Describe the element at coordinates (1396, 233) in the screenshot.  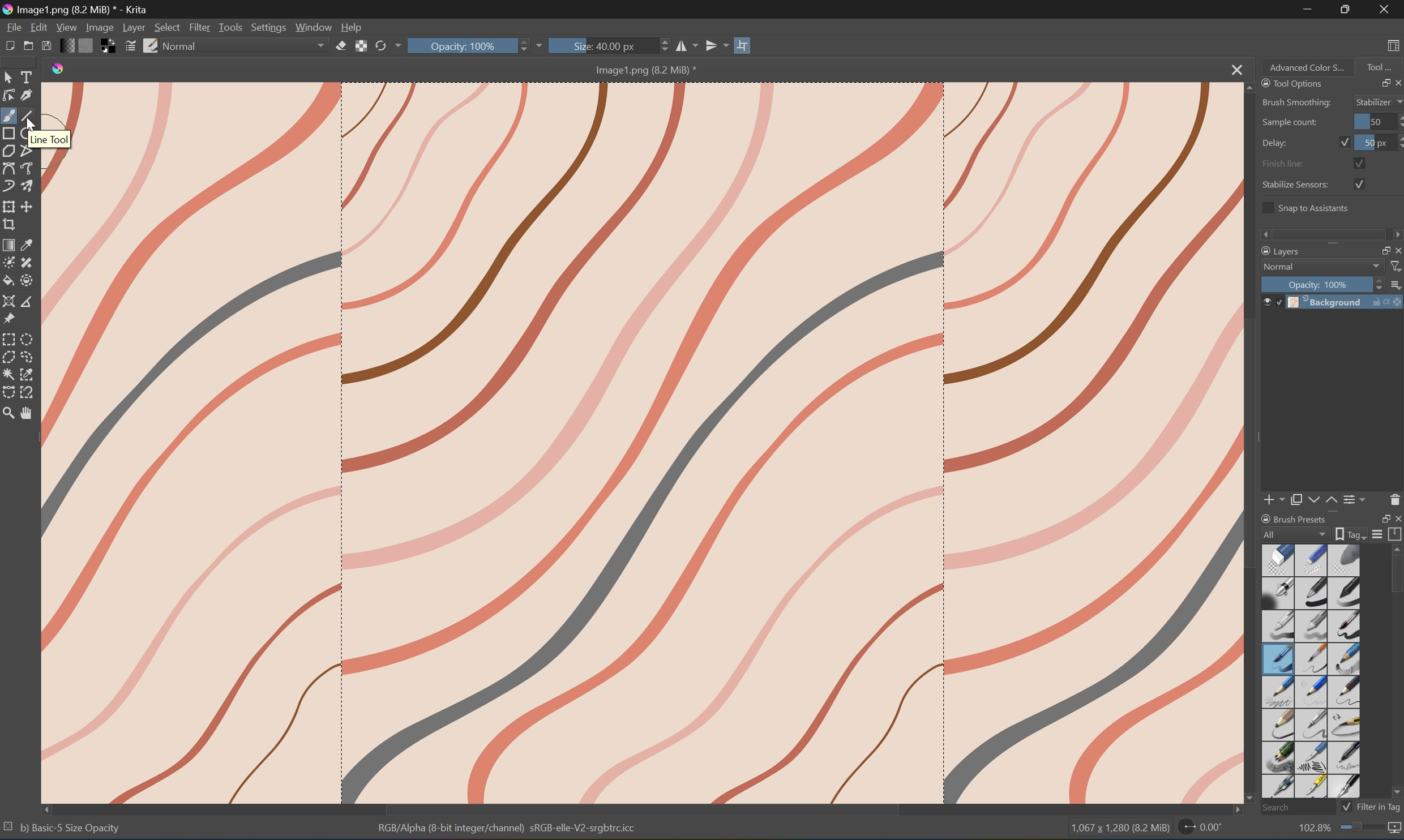
I see `Scroll Right` at that location.